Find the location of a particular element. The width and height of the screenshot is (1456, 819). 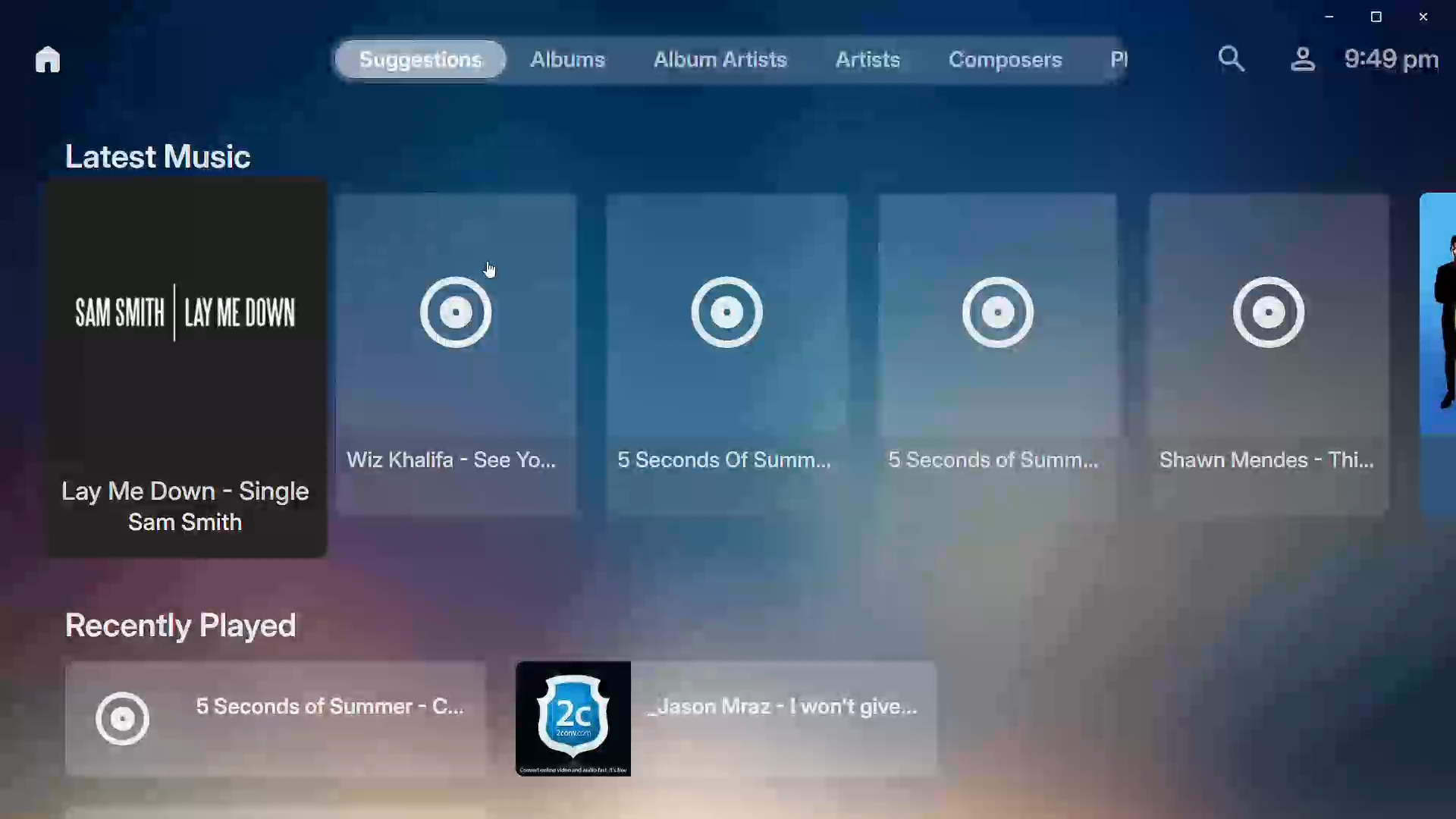

Close is located at coordinates (1421, 16).